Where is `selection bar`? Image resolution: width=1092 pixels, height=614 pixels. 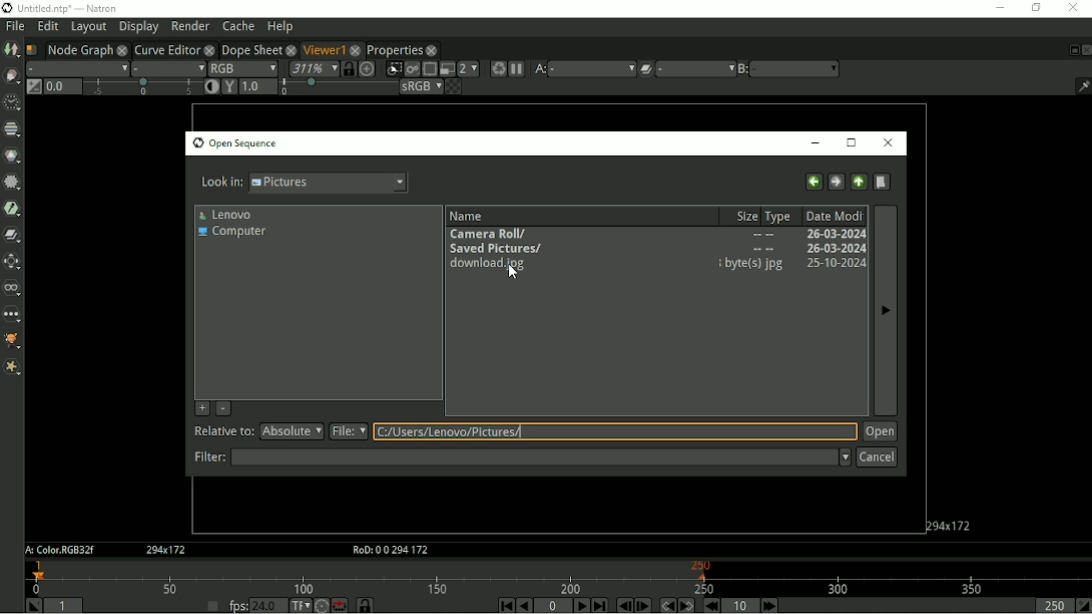
selection bar is located at coordinates (337, 88).